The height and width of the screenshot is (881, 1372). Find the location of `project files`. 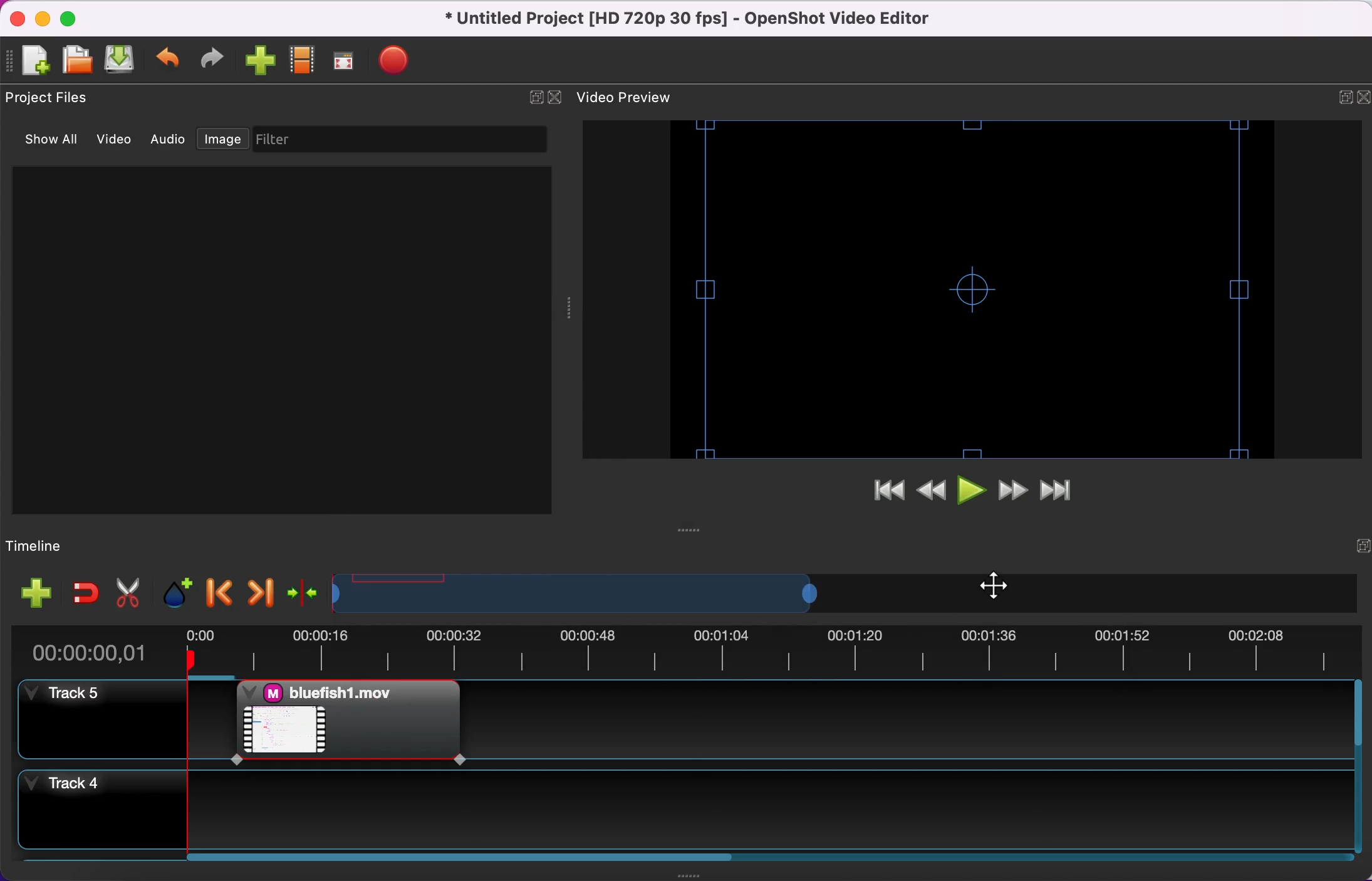

project files is located at coordinates (53, 97).